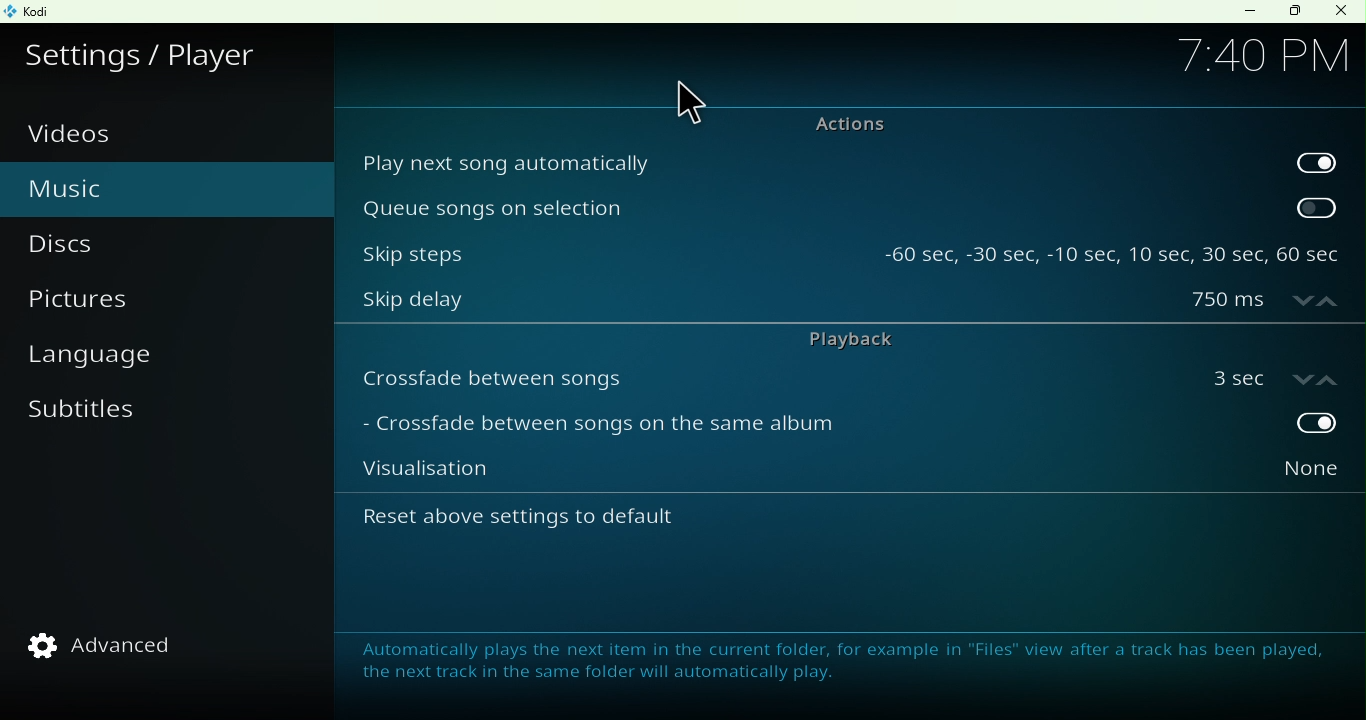 The height and width of the screenshot is (720, 1366). Describe the element at coordinates (1269, 375) in the screenshot. I see `on/off toggle` at that location.